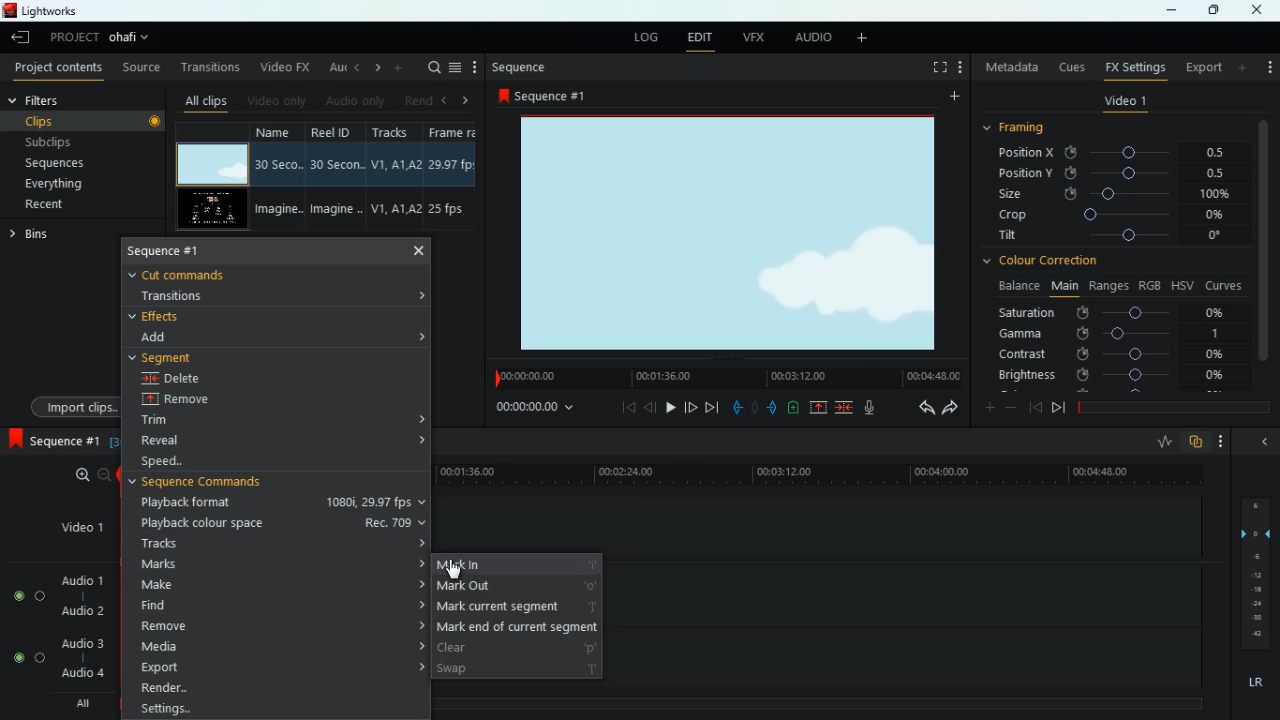  Describe the element at coordinates (692, 407) in the screenshot. I see `front` at that location.